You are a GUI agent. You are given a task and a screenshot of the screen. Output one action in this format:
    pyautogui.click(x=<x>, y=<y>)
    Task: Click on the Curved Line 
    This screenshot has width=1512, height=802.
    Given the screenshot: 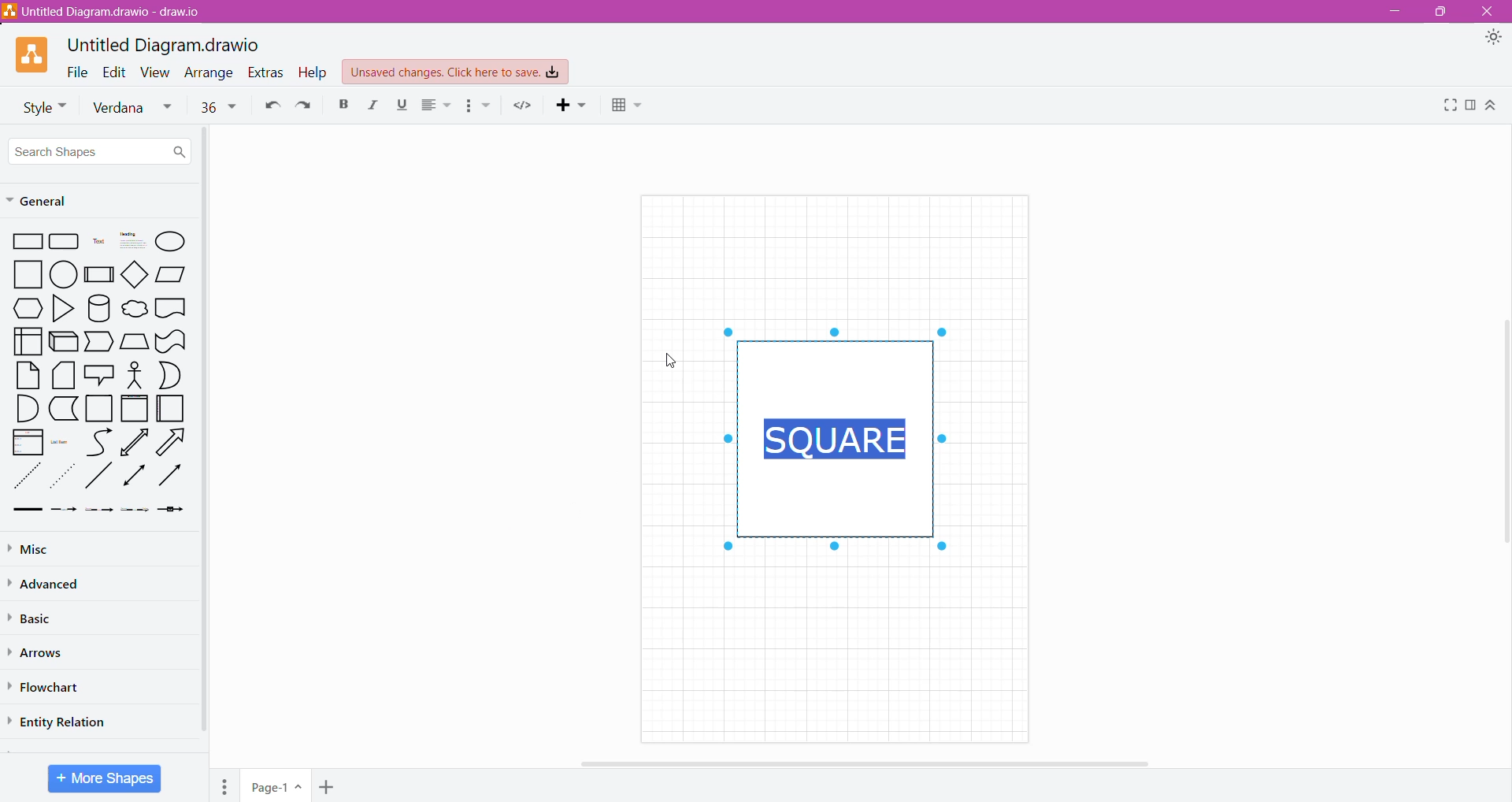 What is the action you would take?
    pyautogui.click(x=98, y=443)
    